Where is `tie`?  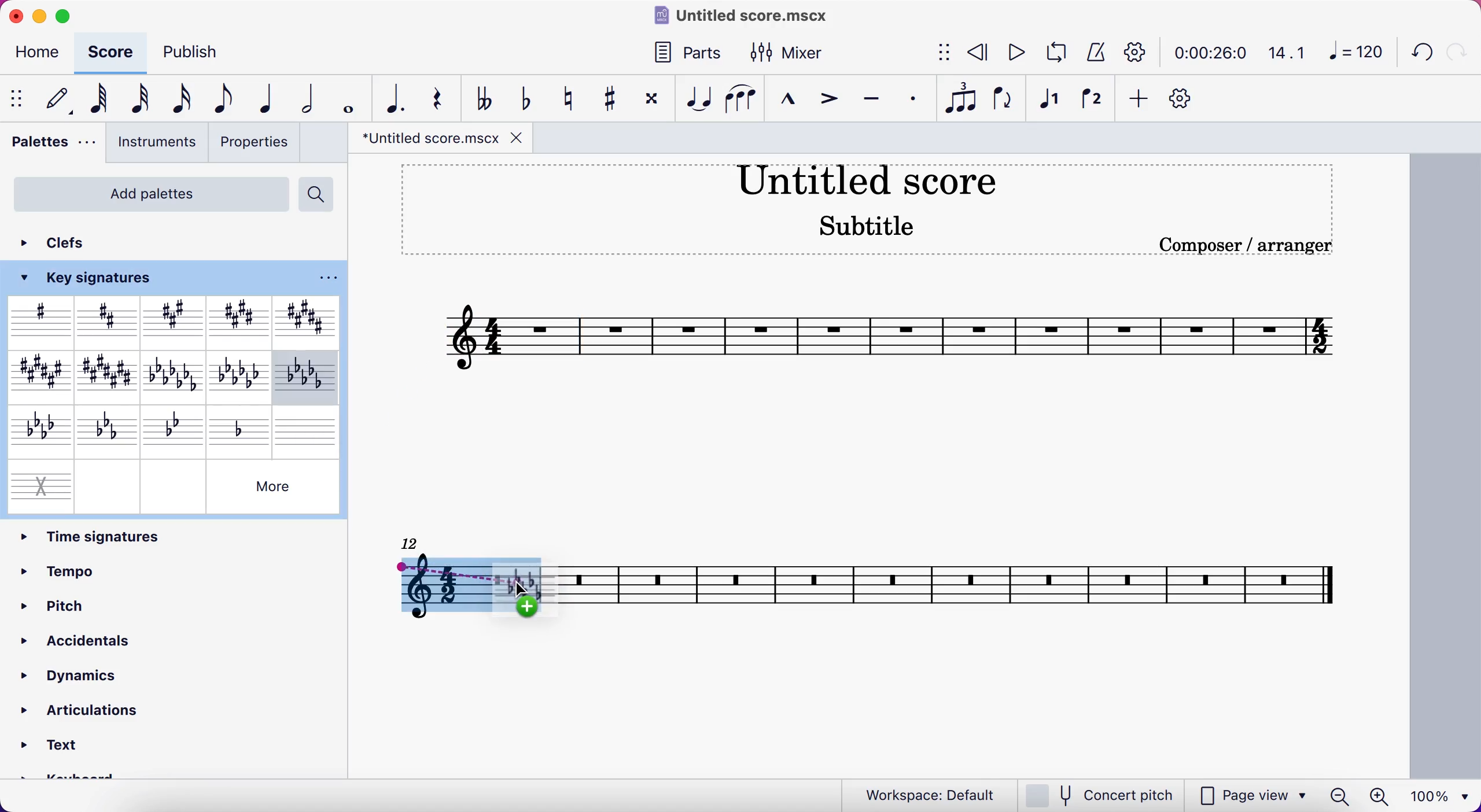
tie is located at coordinates (698, 101).